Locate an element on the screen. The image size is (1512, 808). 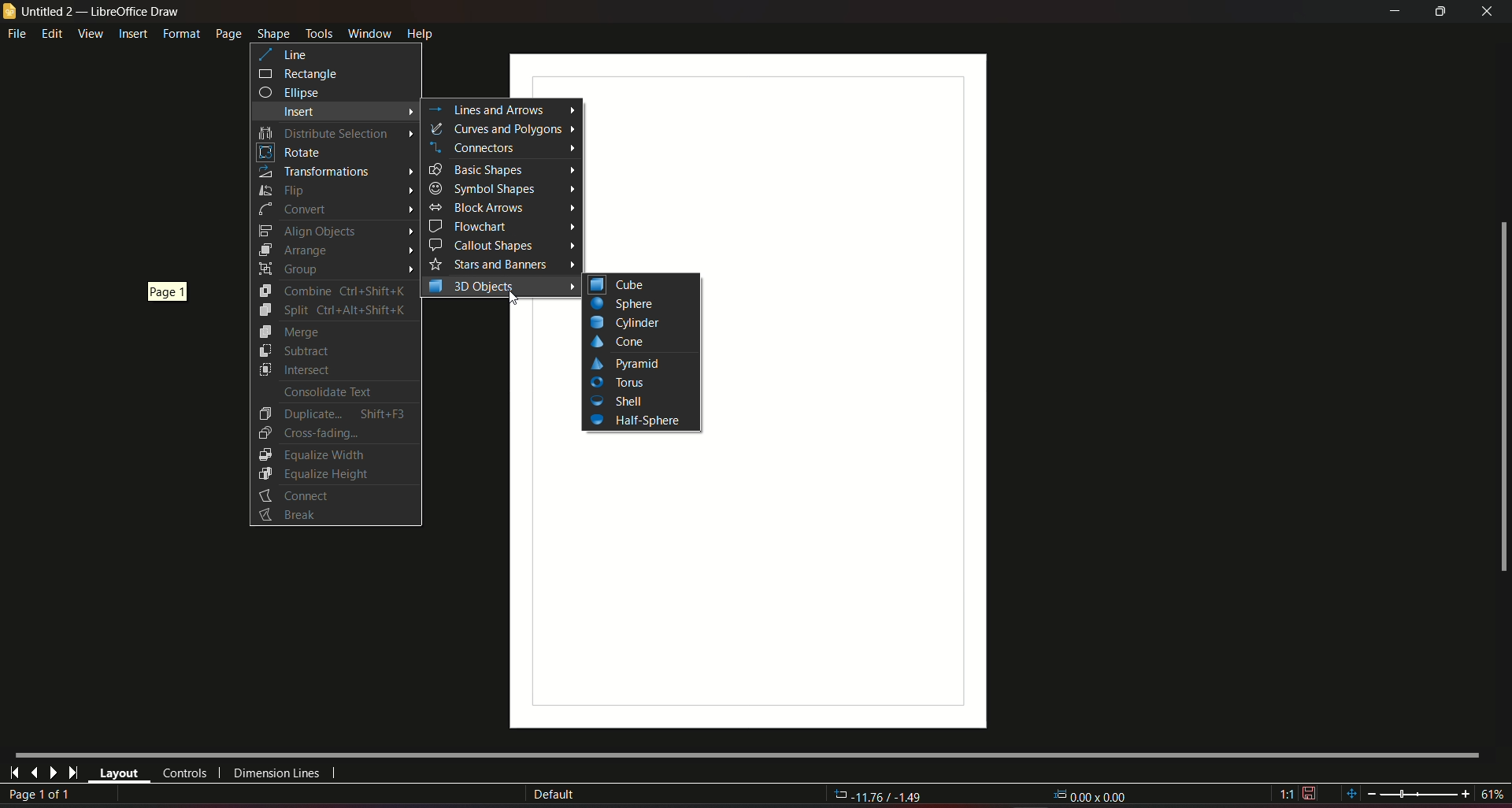
Arrow is located at coordinates (573, 149).